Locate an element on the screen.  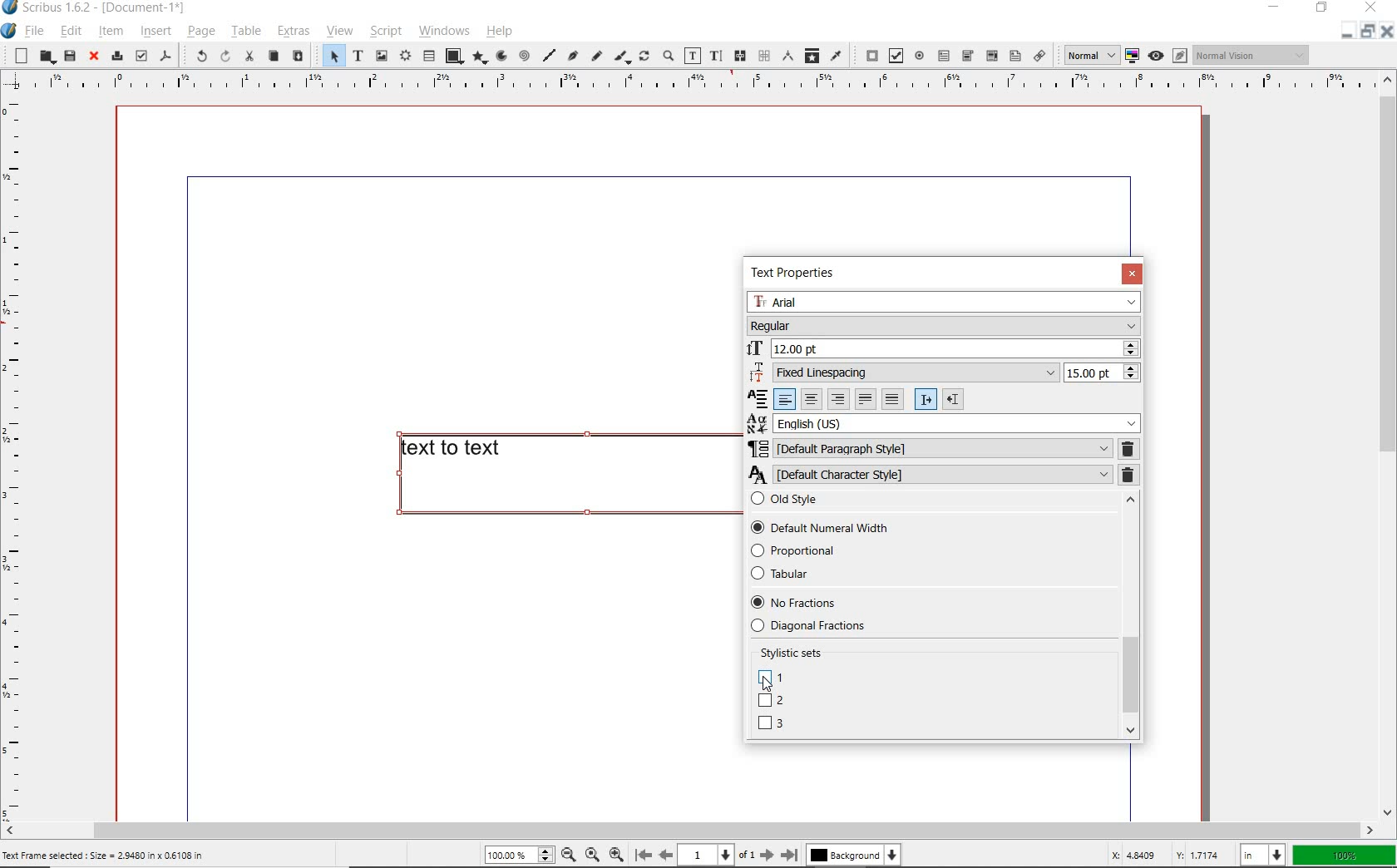
preflight verifier is located at coordinates (141, 57).